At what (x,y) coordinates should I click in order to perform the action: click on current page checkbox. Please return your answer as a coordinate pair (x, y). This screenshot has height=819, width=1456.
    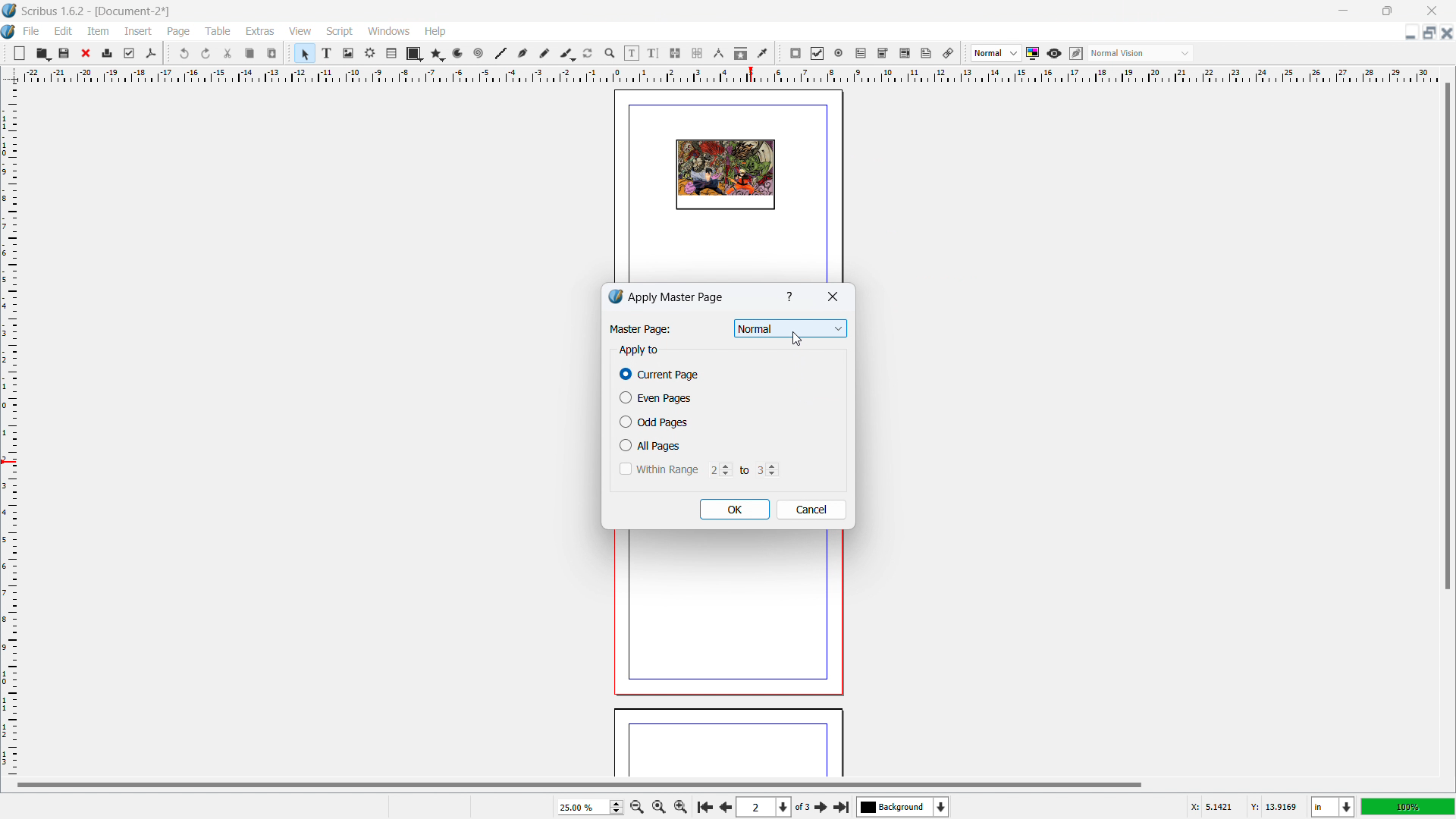
    Looking at the image, I should click on (661, 375).